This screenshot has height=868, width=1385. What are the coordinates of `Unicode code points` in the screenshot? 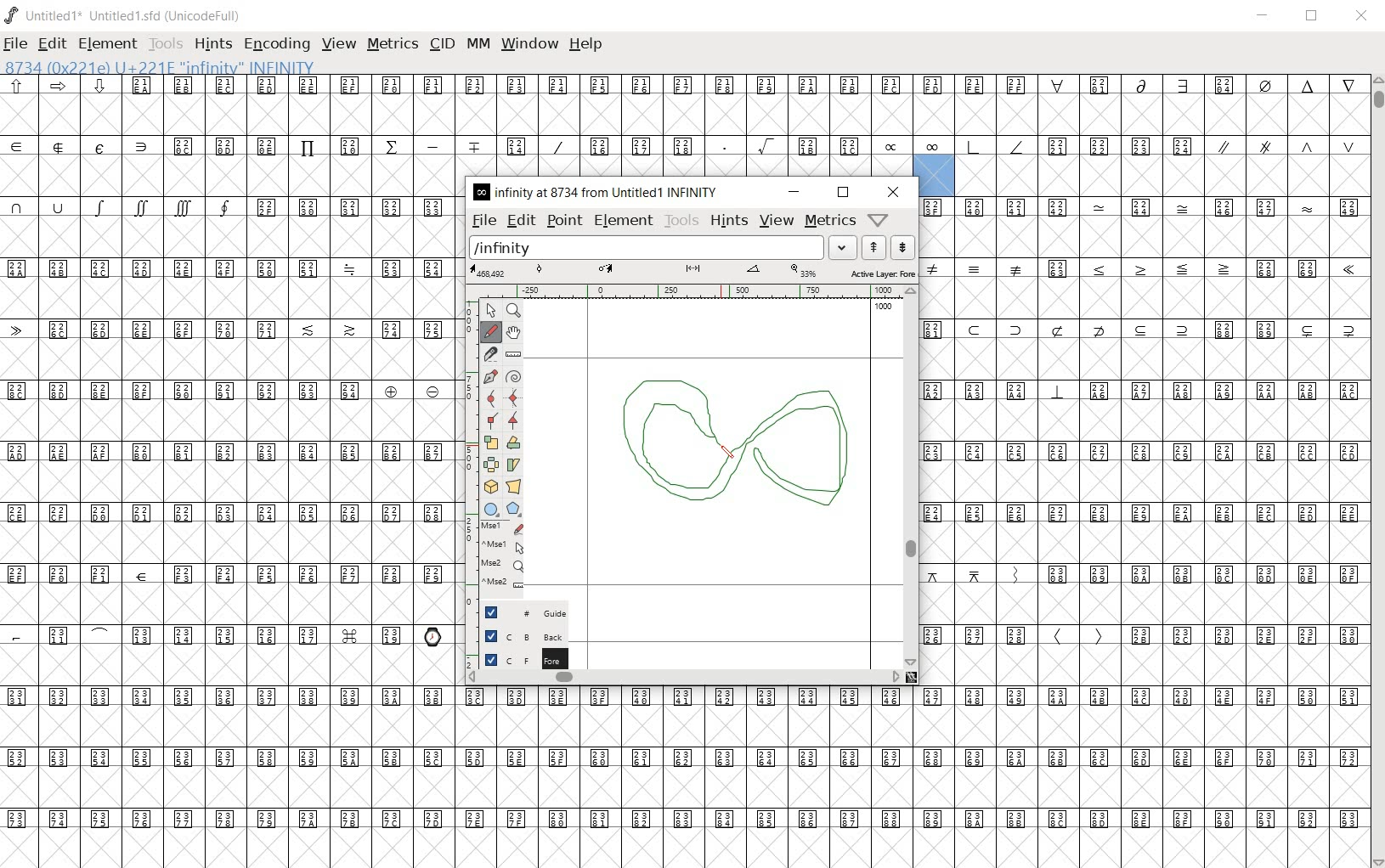 It's located at (1222, 390).